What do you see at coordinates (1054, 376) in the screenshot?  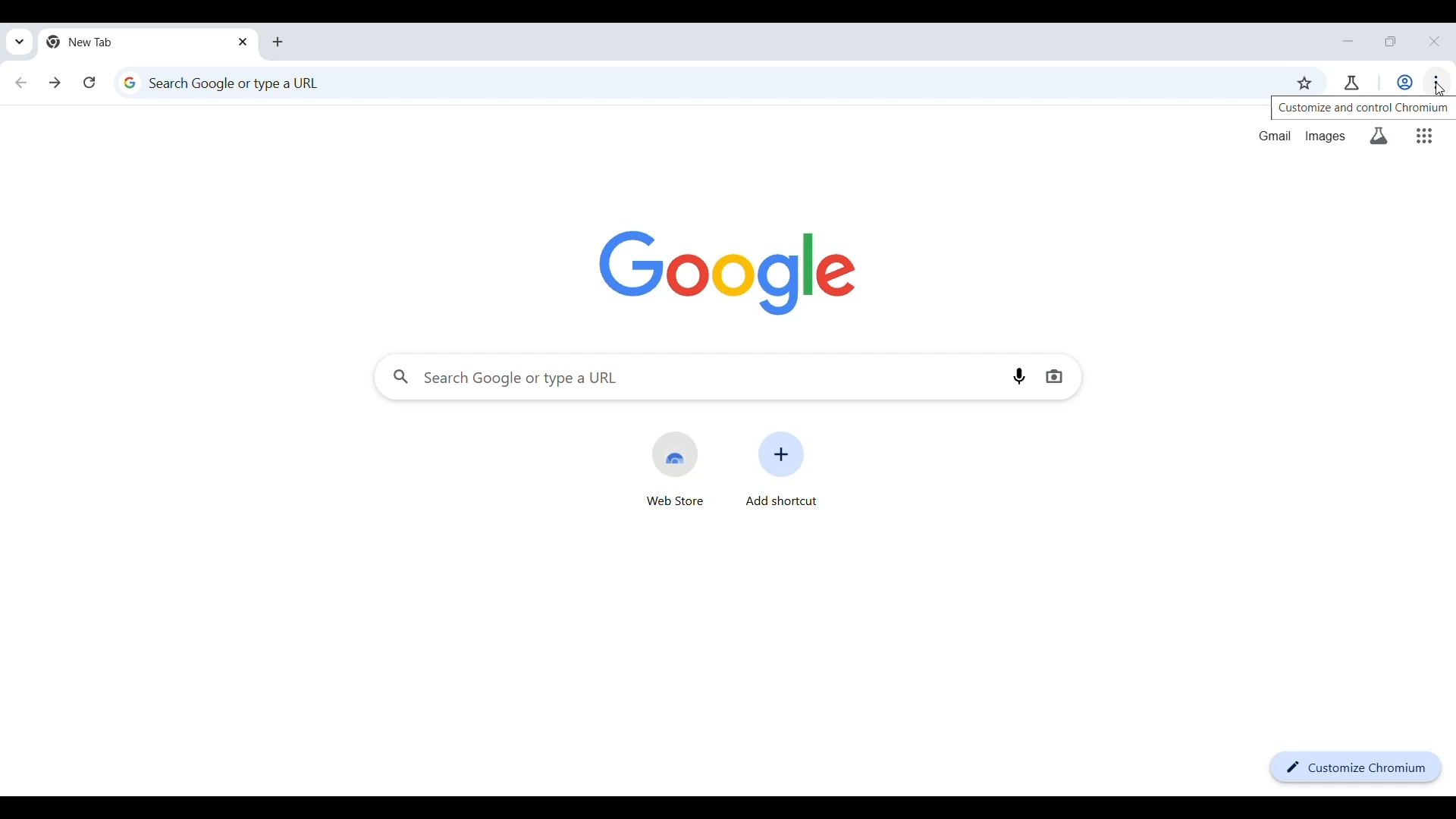 I see `Search by image` at bounding box center [1054, 376].